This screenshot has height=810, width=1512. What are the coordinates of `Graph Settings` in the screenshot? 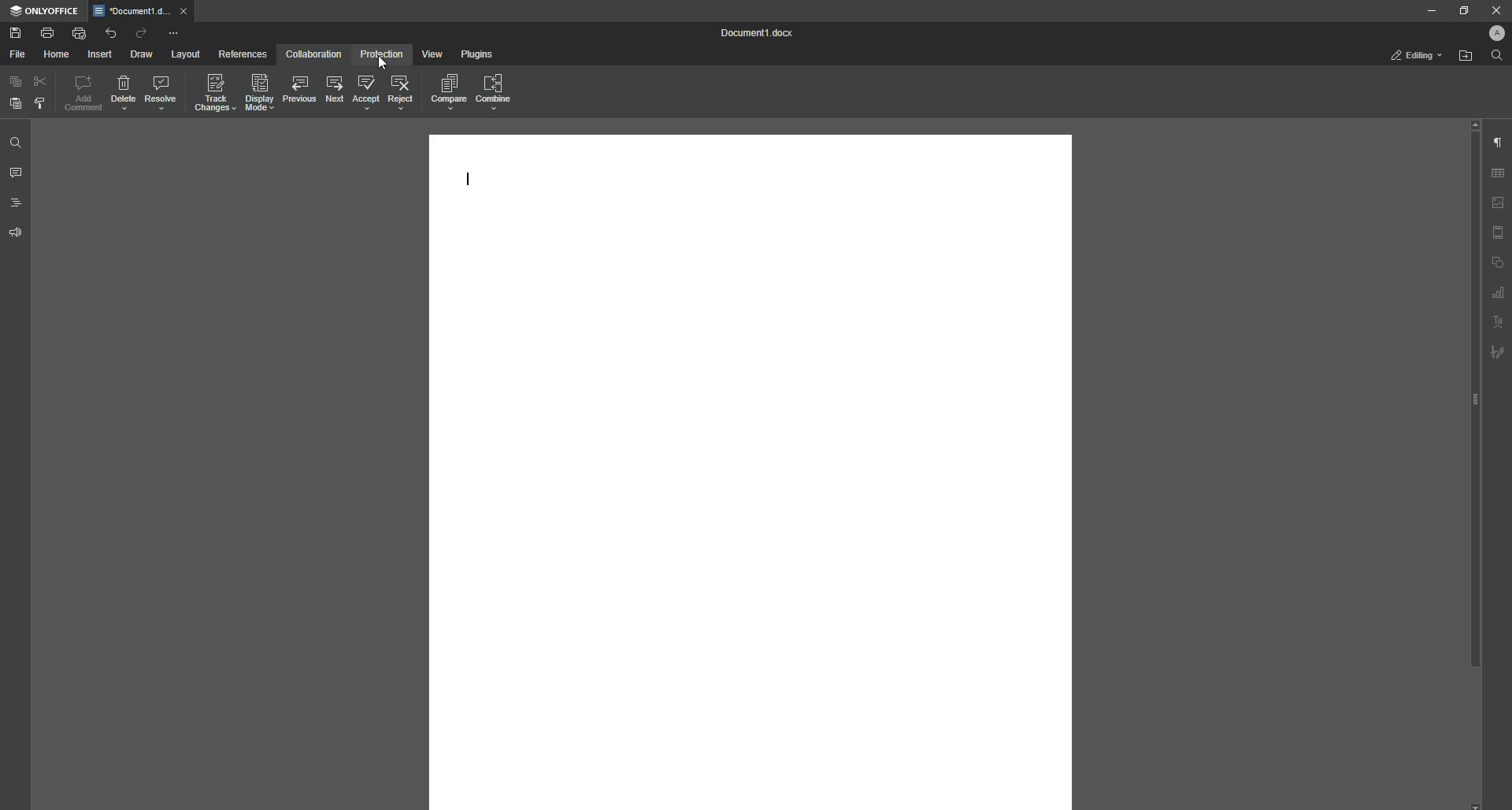 It's located at (1499, 292).